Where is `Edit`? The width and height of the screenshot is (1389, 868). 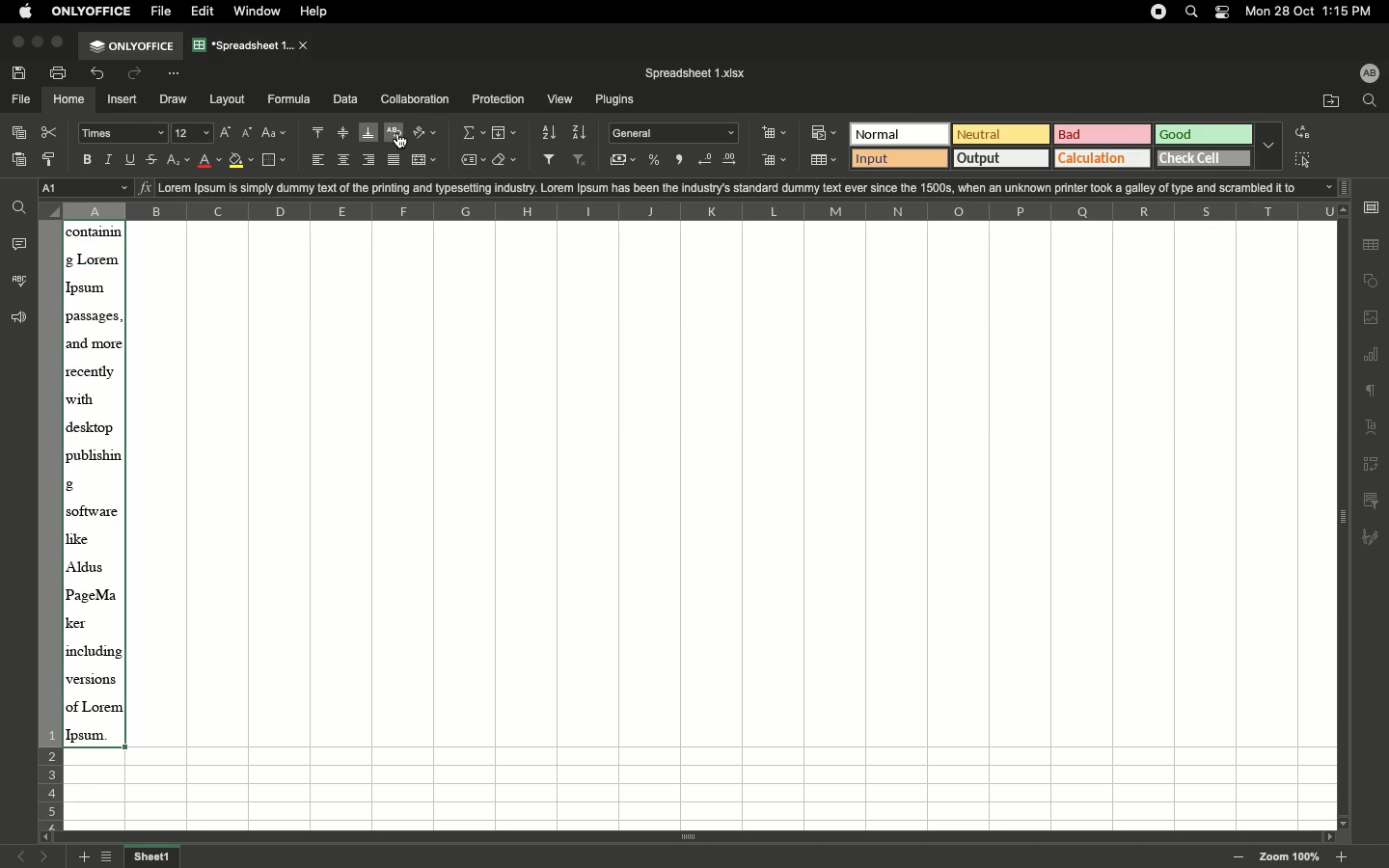 Edit is located at coordinates (205, 11).